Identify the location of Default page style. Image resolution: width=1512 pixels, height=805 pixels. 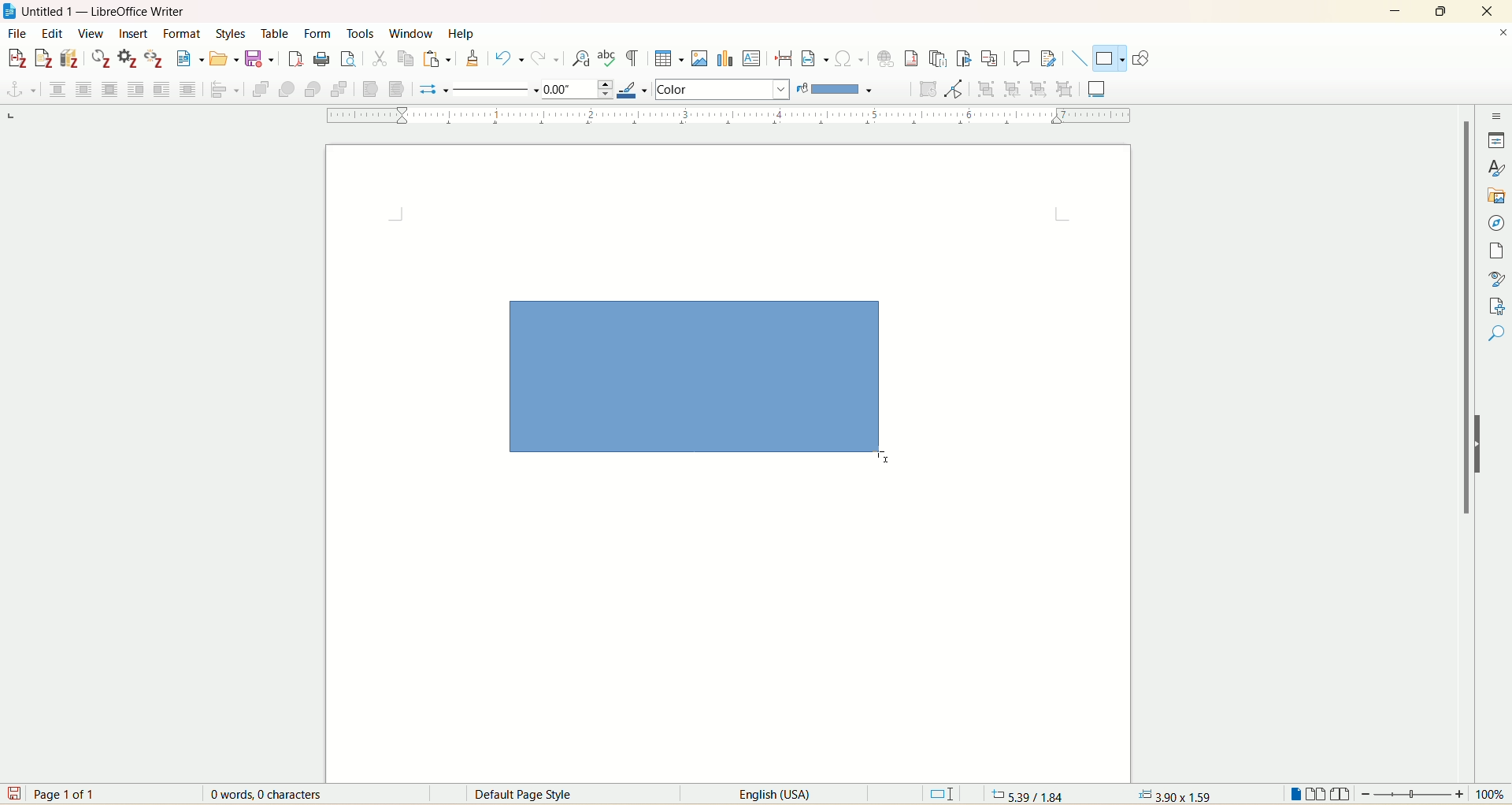
(535, 795).